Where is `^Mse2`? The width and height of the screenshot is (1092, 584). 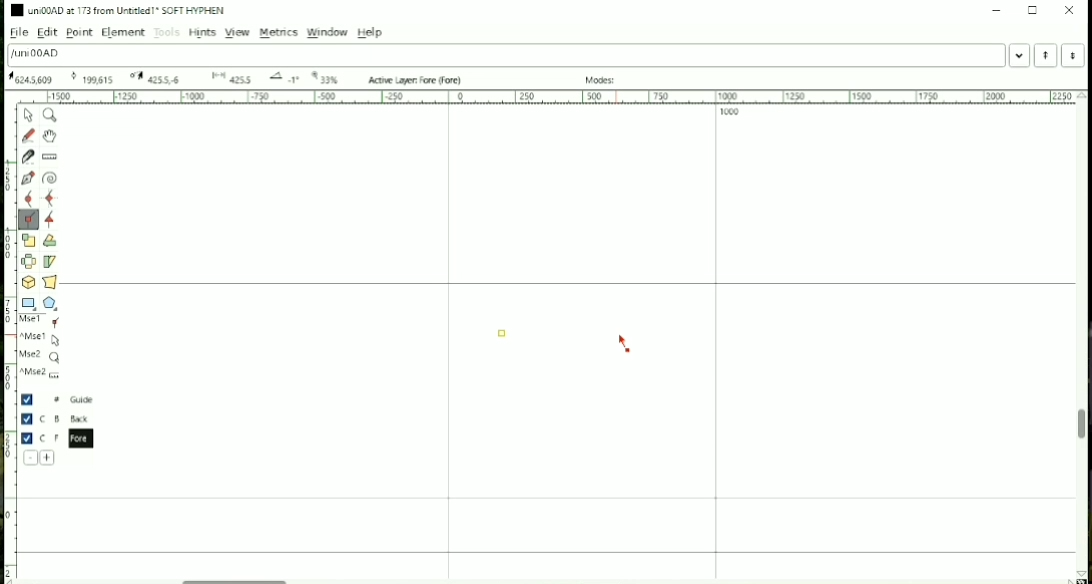
^Mse2 is located at coordinates (42, 374).